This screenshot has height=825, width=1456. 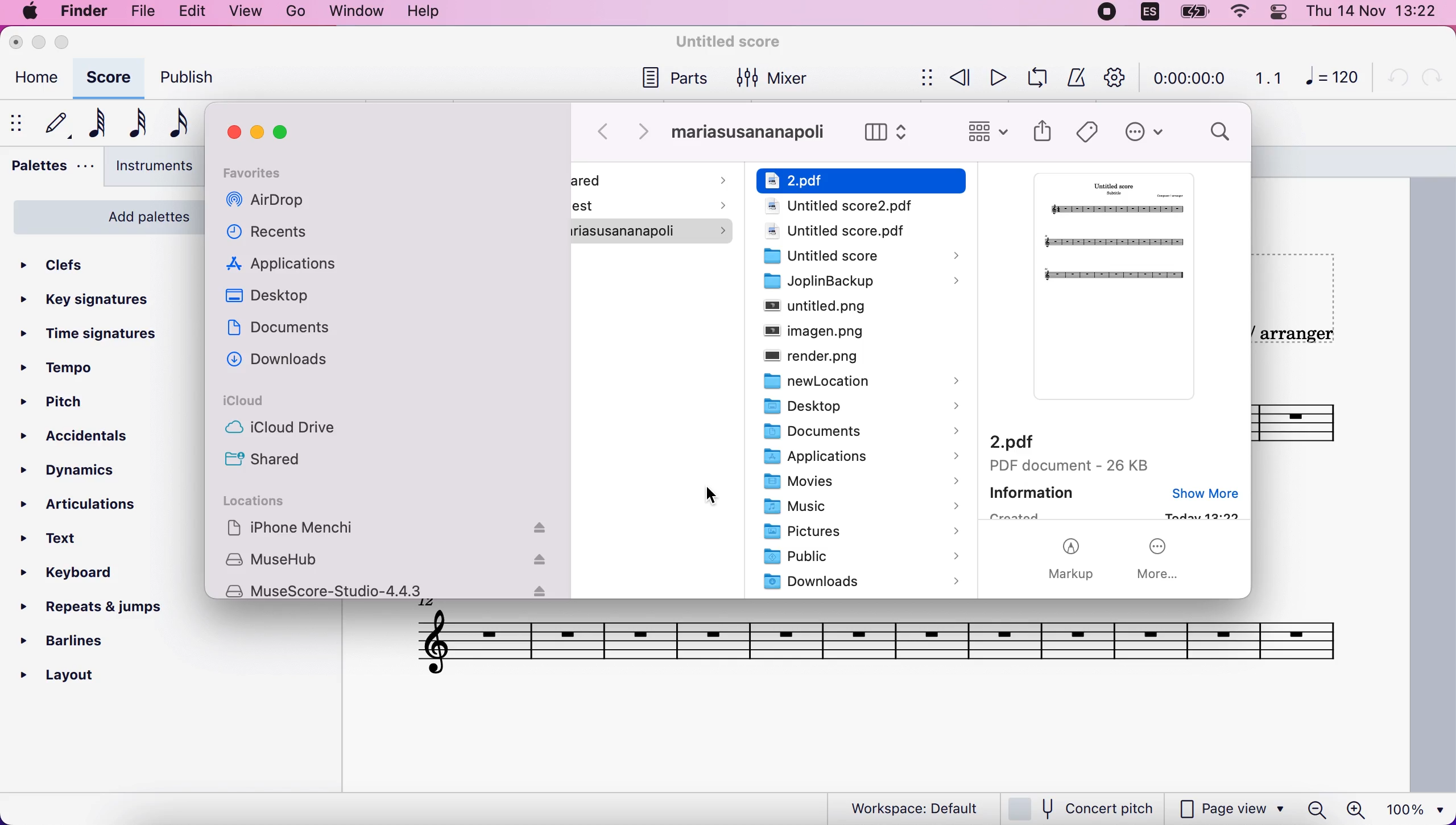 What do you see at coordinates (778, 77) in the screenshot?
I see `mixer` at bounding box center [778, 77].